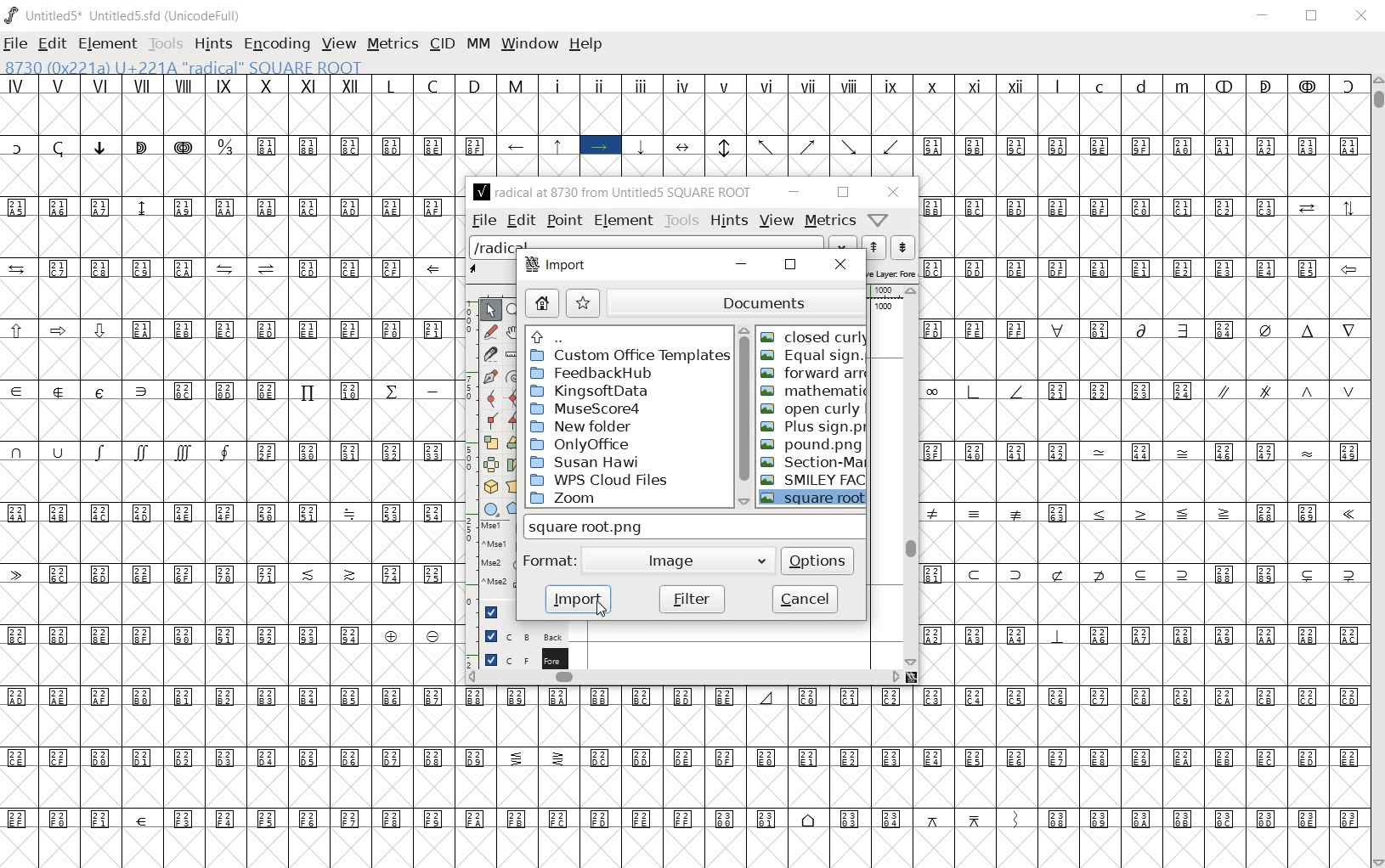  Describe the element at coordinates (838, 265) in the screenshot. I see `close` at that location.